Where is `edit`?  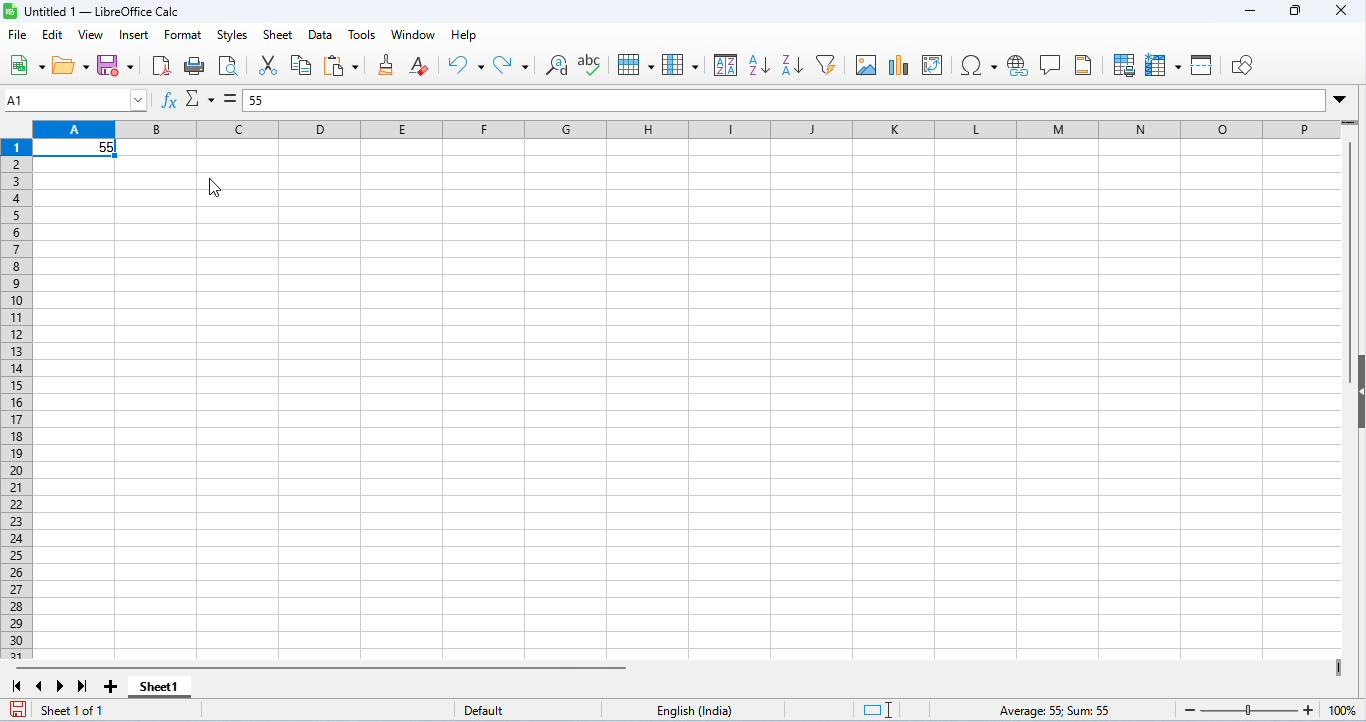 edit is located at coordinates (53, 35).